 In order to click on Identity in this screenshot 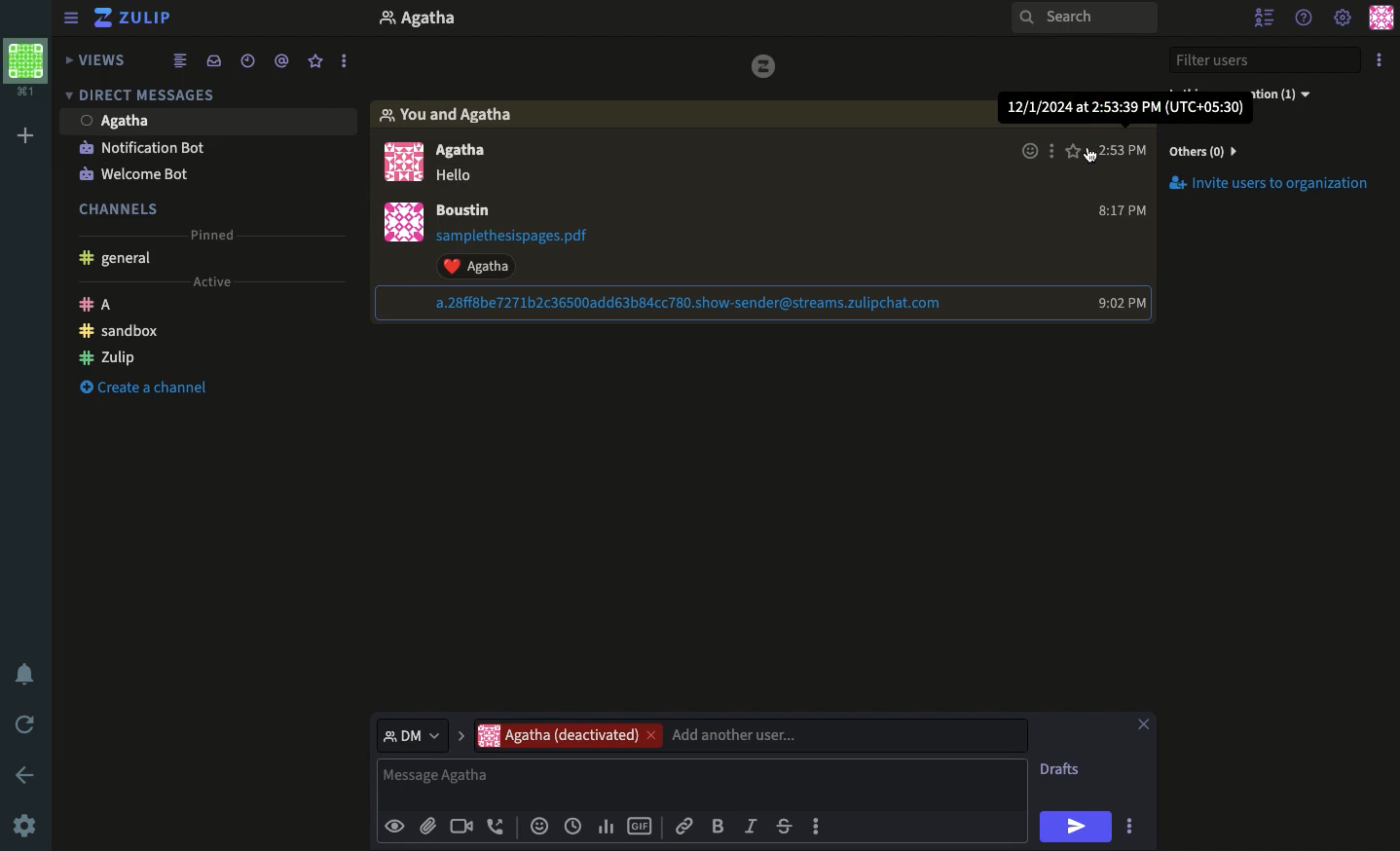, I will do `click(396, 827)`.